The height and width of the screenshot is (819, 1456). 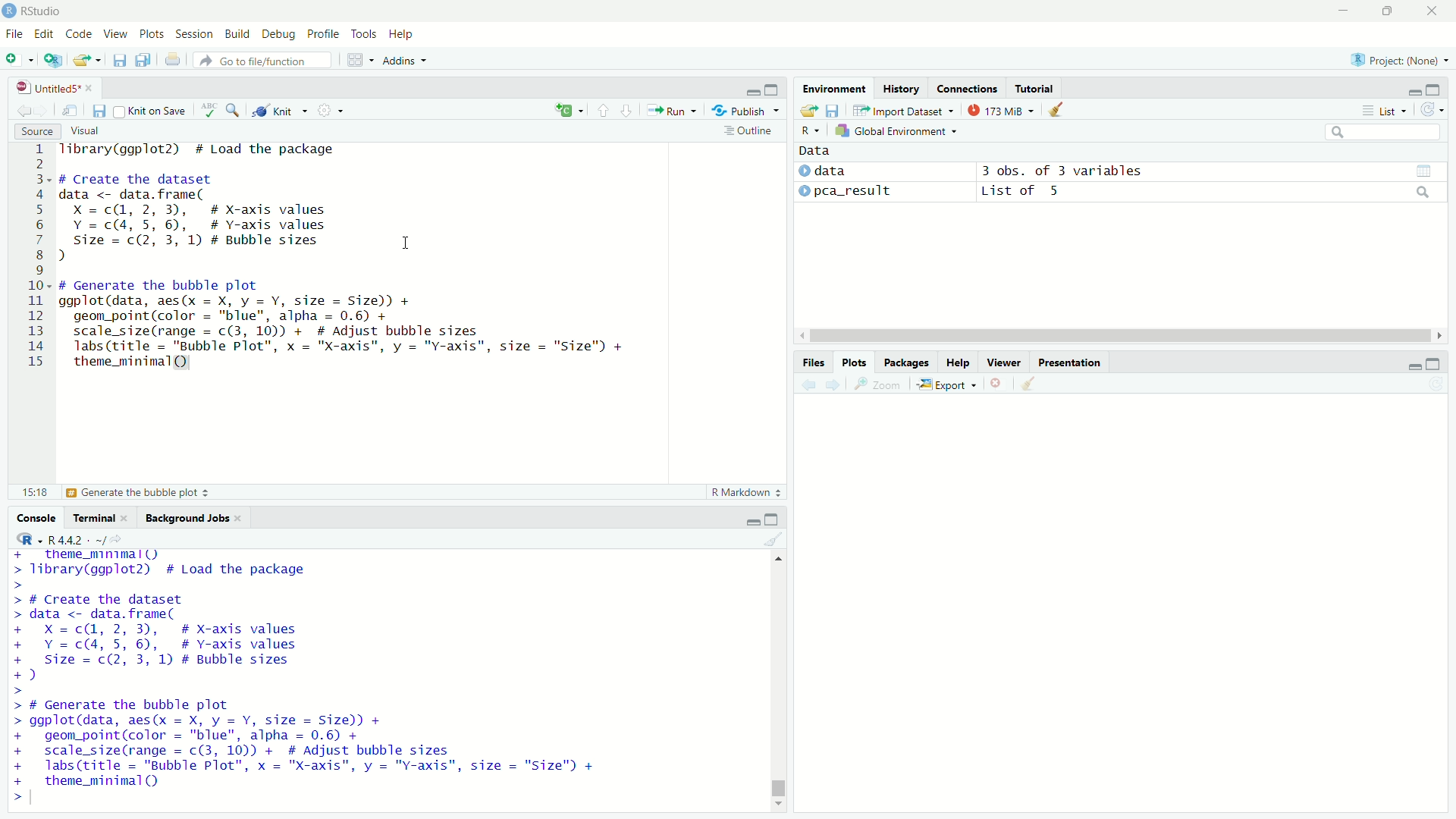 I want to click on source, so click(x=37, y=131).